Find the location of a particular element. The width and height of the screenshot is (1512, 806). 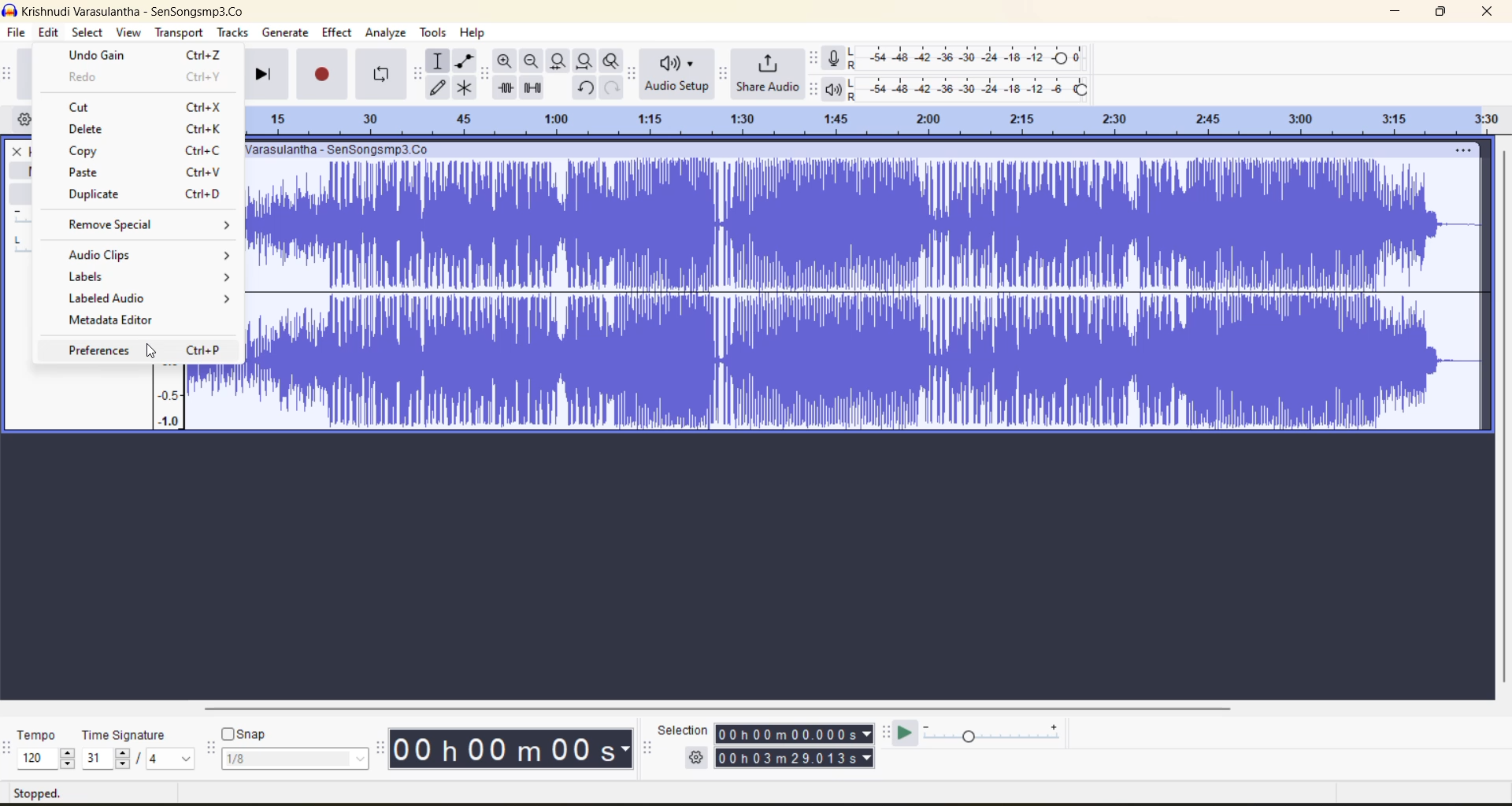

labeled audio is located at coordinates (145, 297).